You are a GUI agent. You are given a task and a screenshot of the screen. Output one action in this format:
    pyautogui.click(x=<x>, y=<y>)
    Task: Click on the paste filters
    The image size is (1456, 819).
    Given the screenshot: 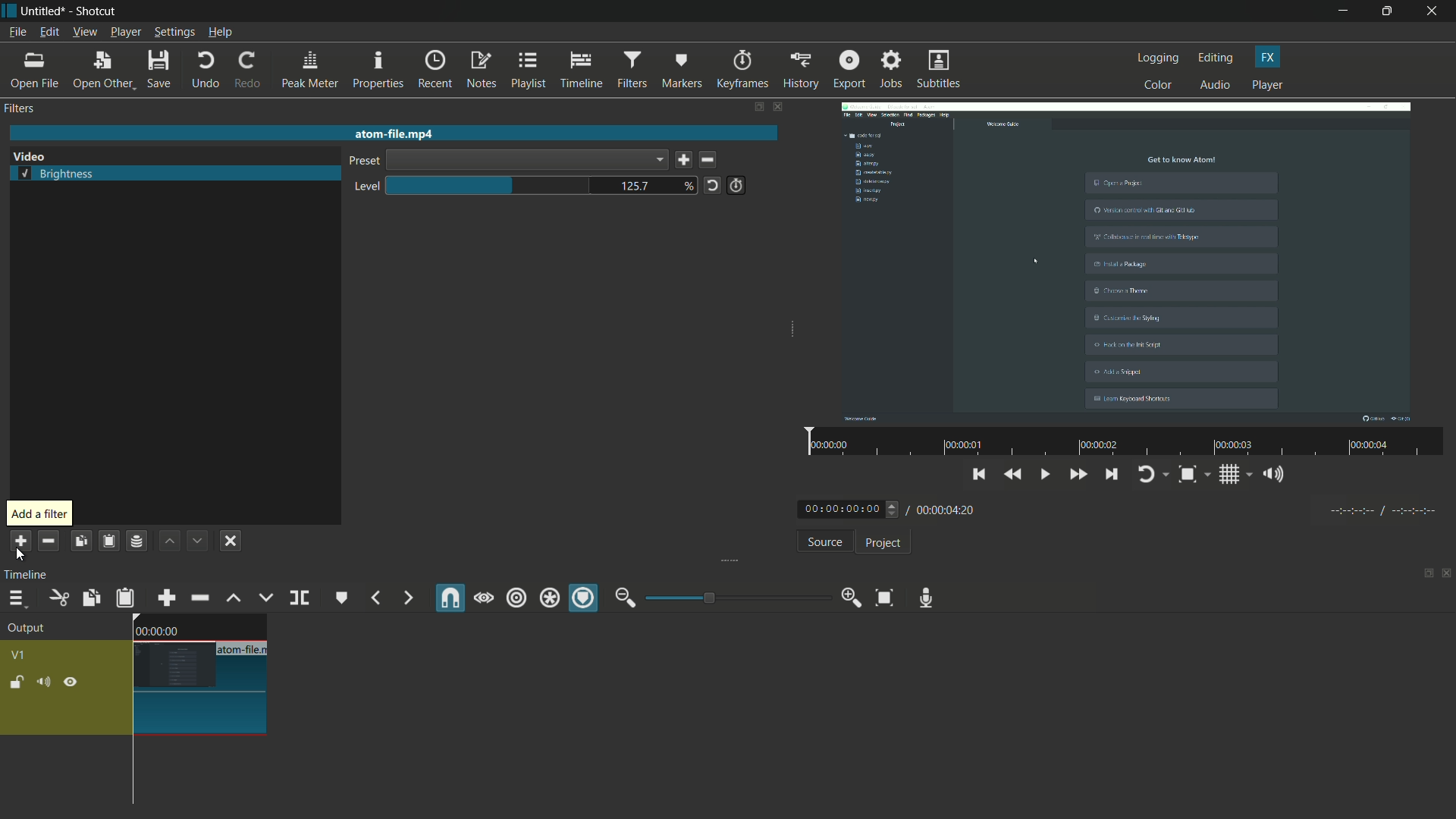 What is the action you would take?
    pyautogui.click(x=108, y=541)
    